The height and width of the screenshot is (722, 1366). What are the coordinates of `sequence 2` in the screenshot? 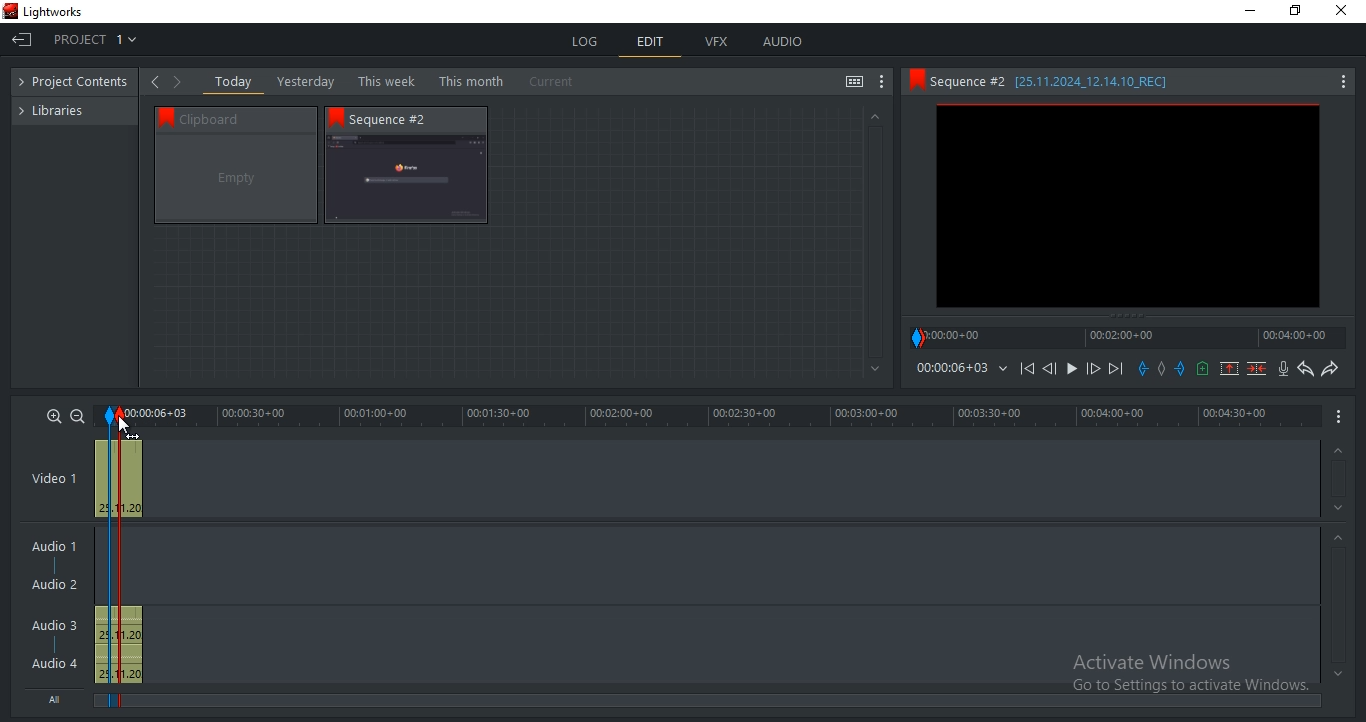 It's located at (1128, 208).